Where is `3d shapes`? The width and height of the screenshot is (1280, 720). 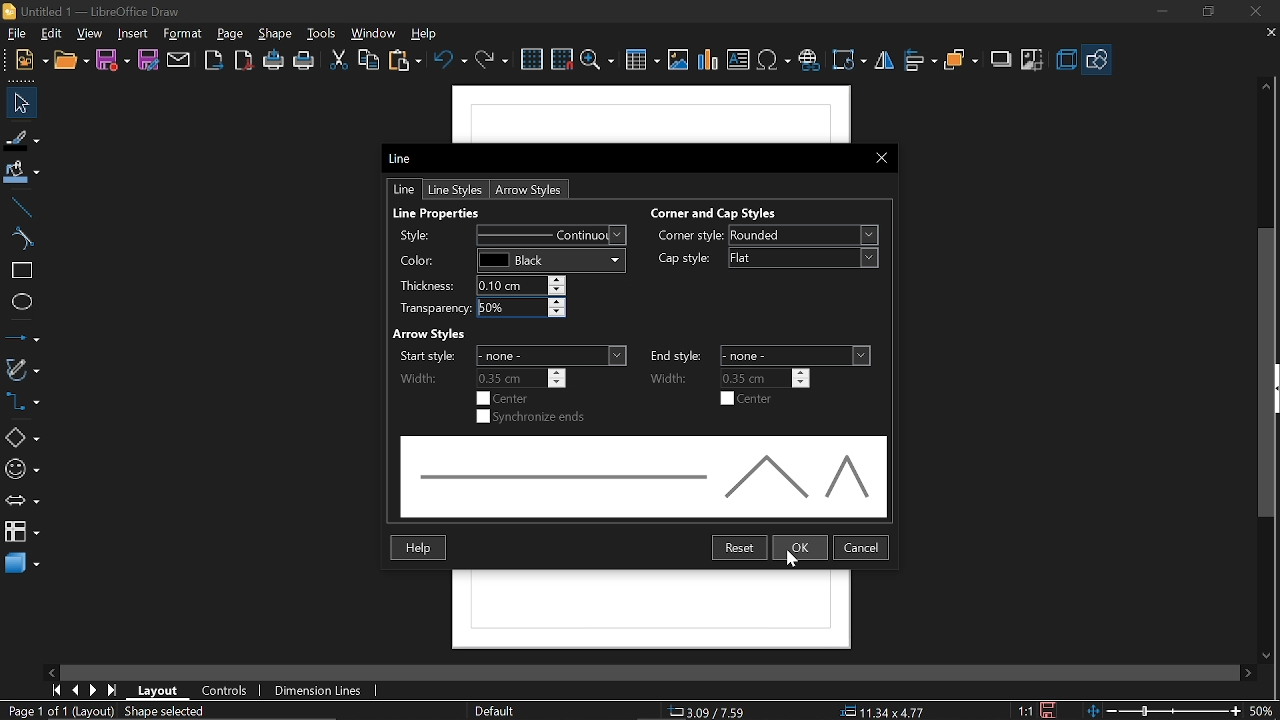 3d shapes is located at coordinates (21, 564).